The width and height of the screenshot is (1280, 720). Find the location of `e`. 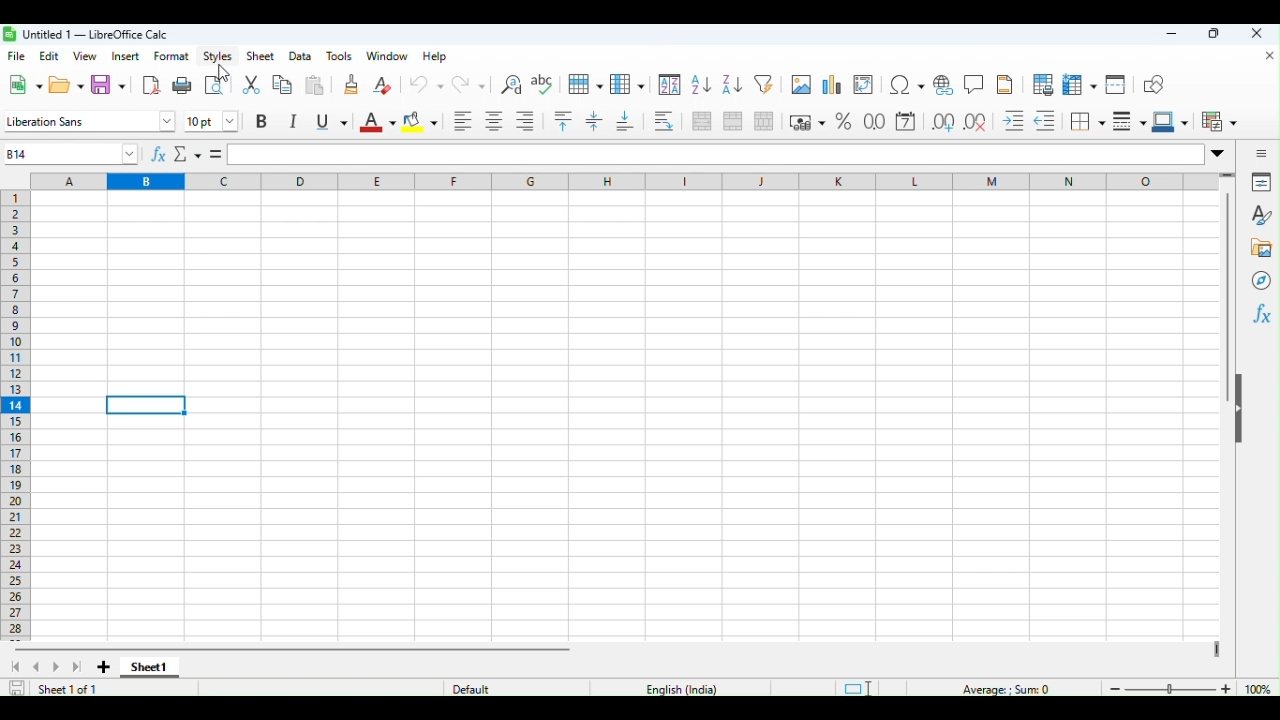

e is located at coordinates (380, 181).